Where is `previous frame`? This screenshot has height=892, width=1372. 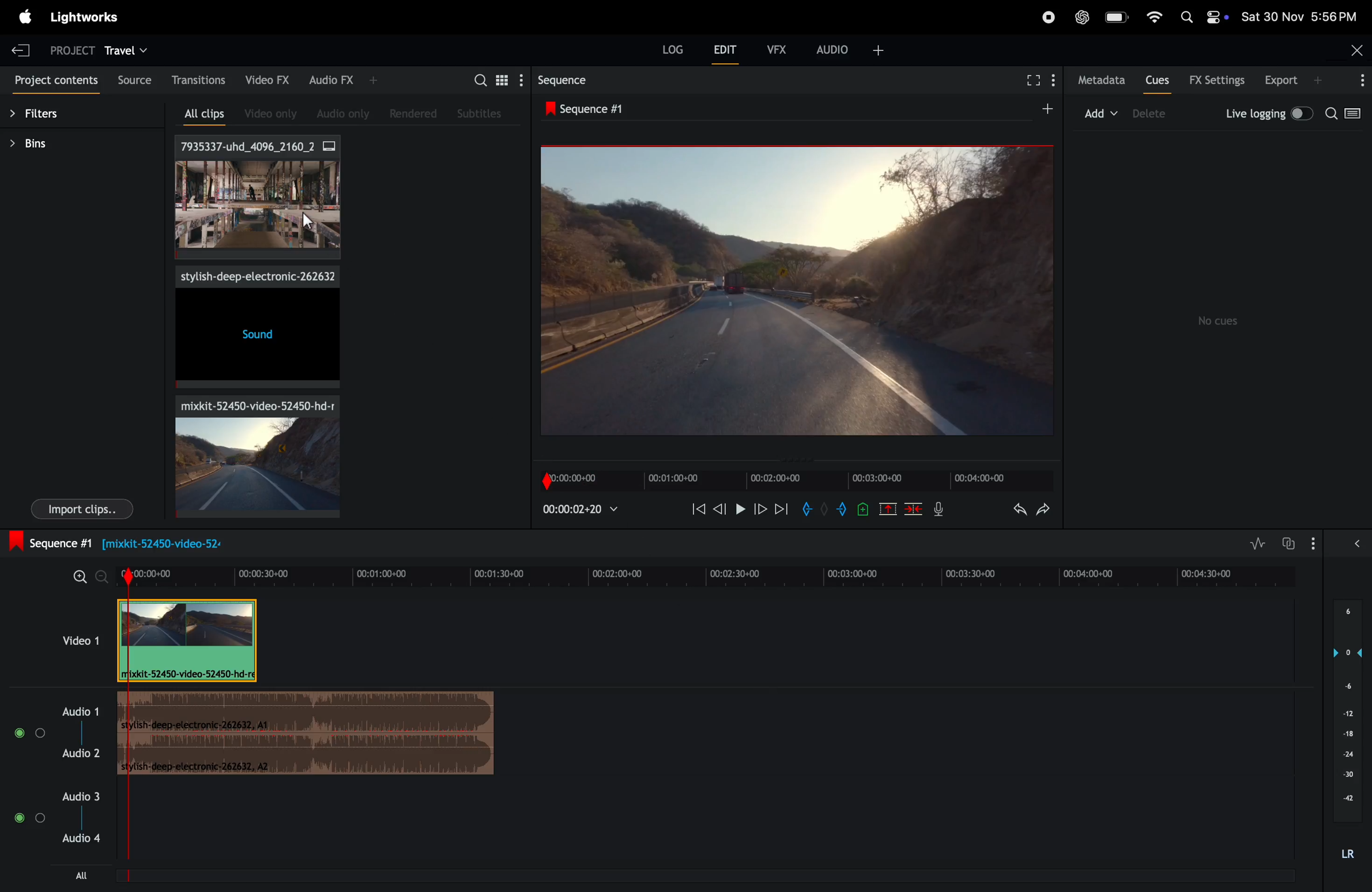
previous frame is located at coordinates (721, 509).